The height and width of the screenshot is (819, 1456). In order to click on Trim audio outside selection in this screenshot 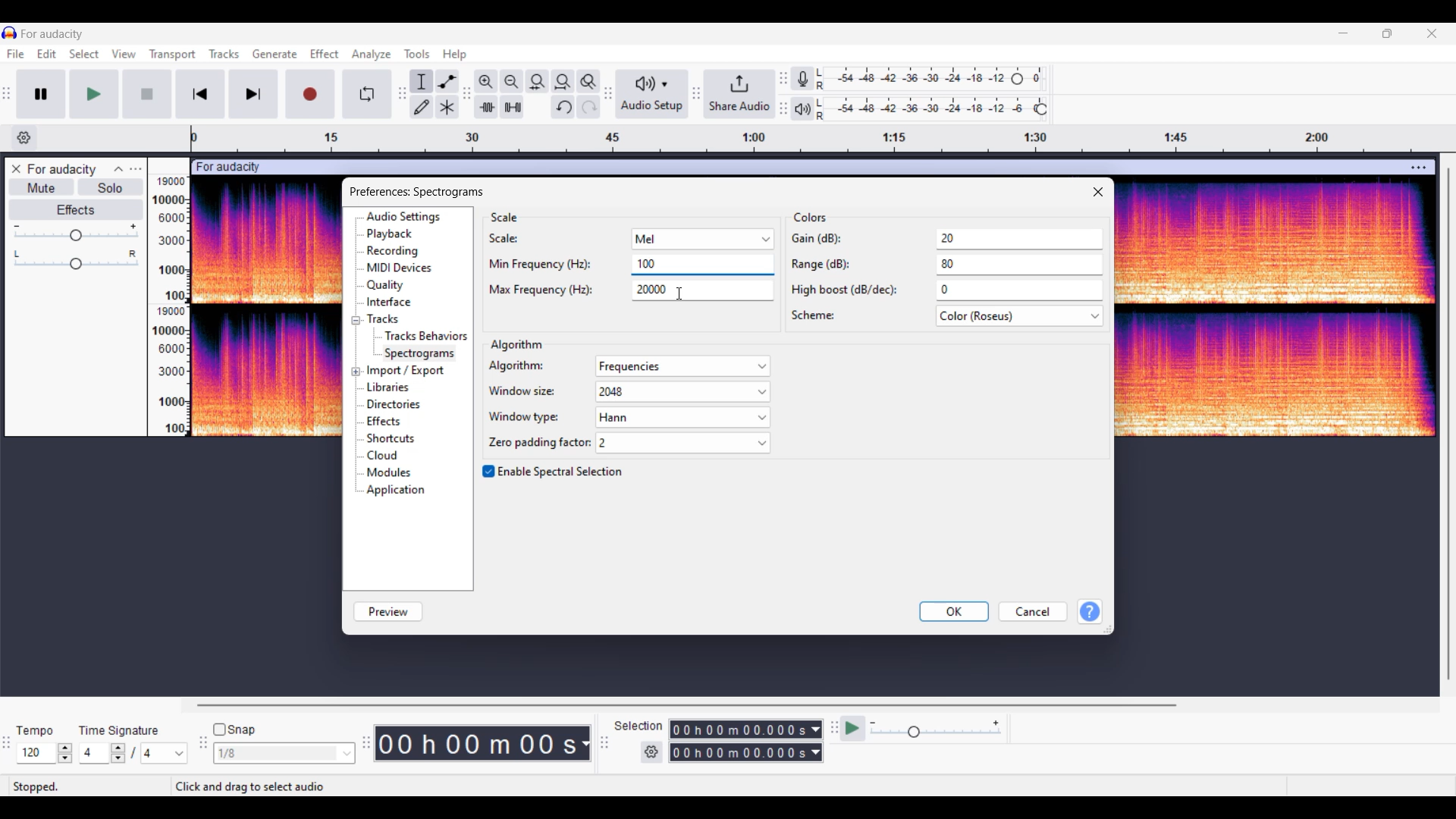, I will do `click(486, 107)`.